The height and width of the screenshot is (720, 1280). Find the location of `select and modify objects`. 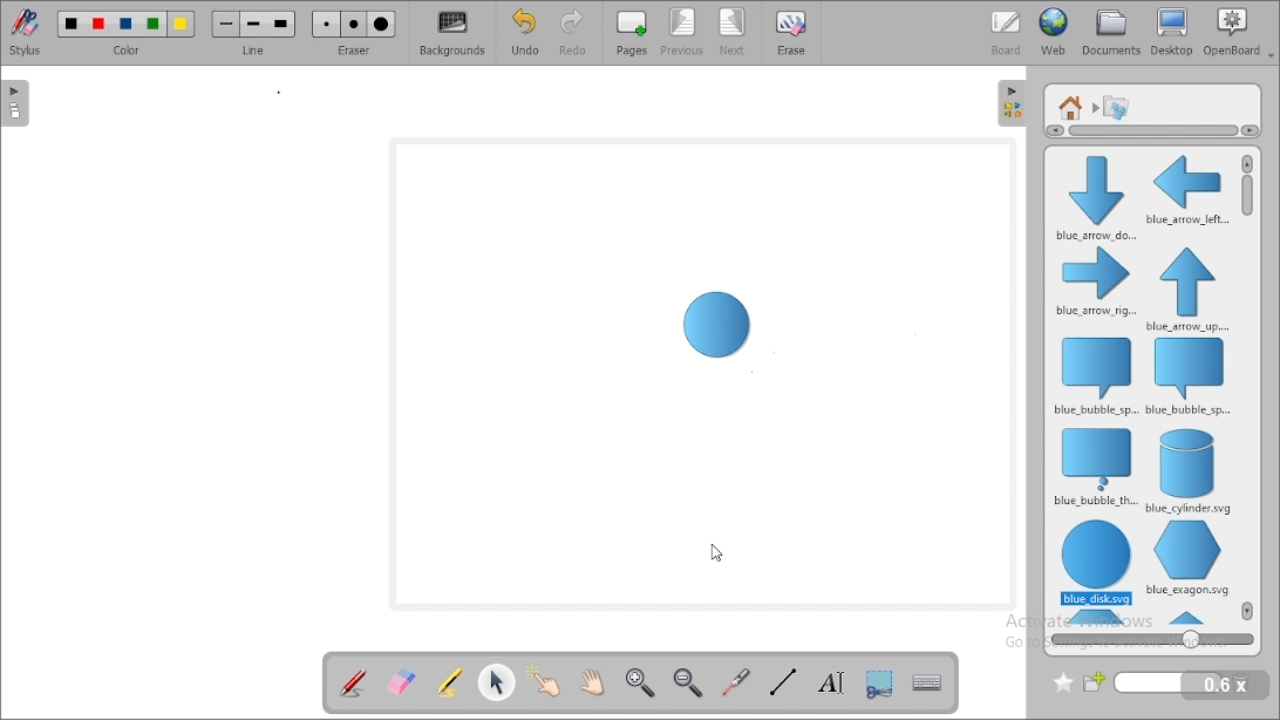

select and modify objects is located at coordinates (498, 681).